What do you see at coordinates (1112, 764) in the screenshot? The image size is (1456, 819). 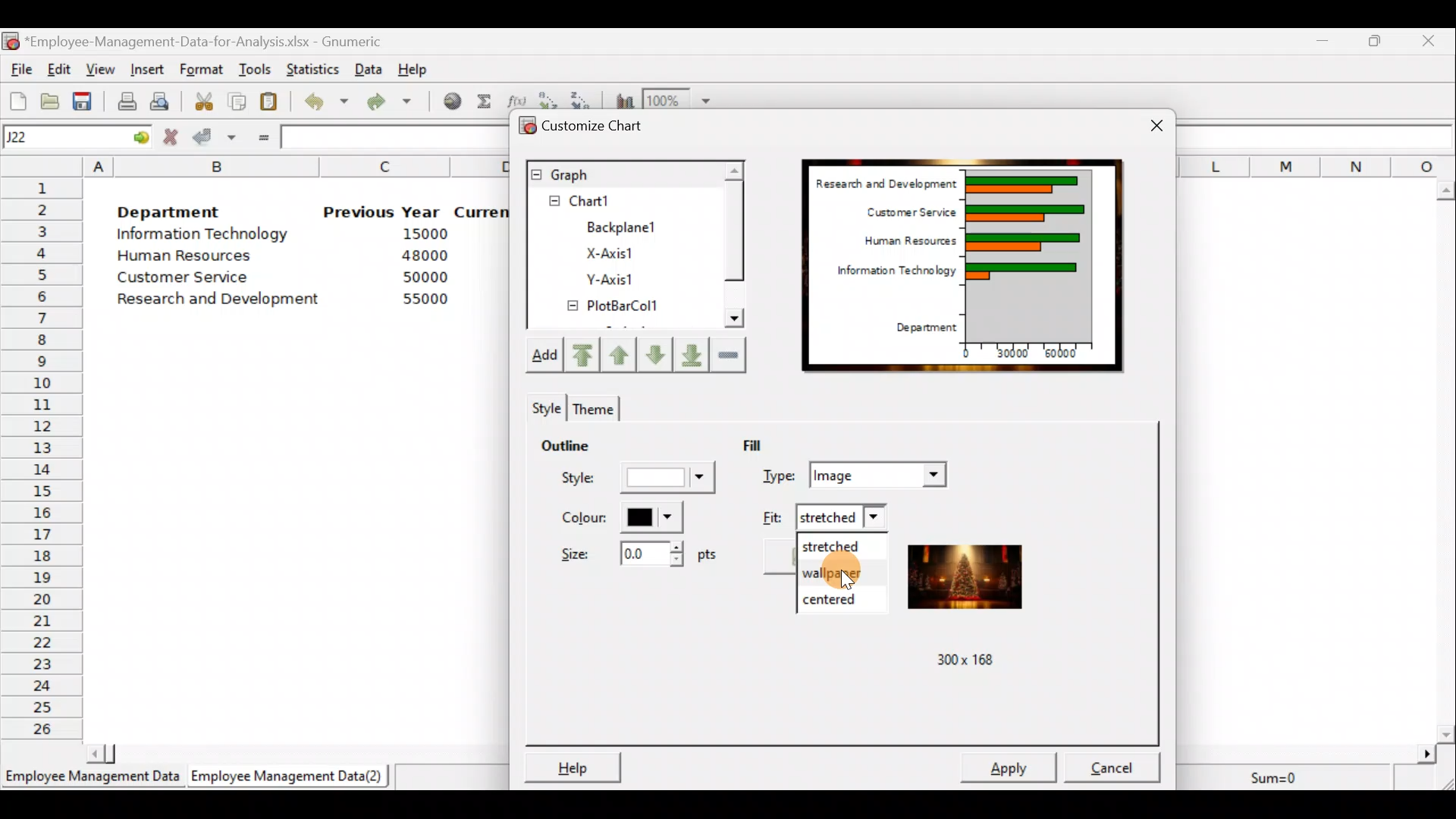 I see `Cancel` at bounding box center [1112, 764].